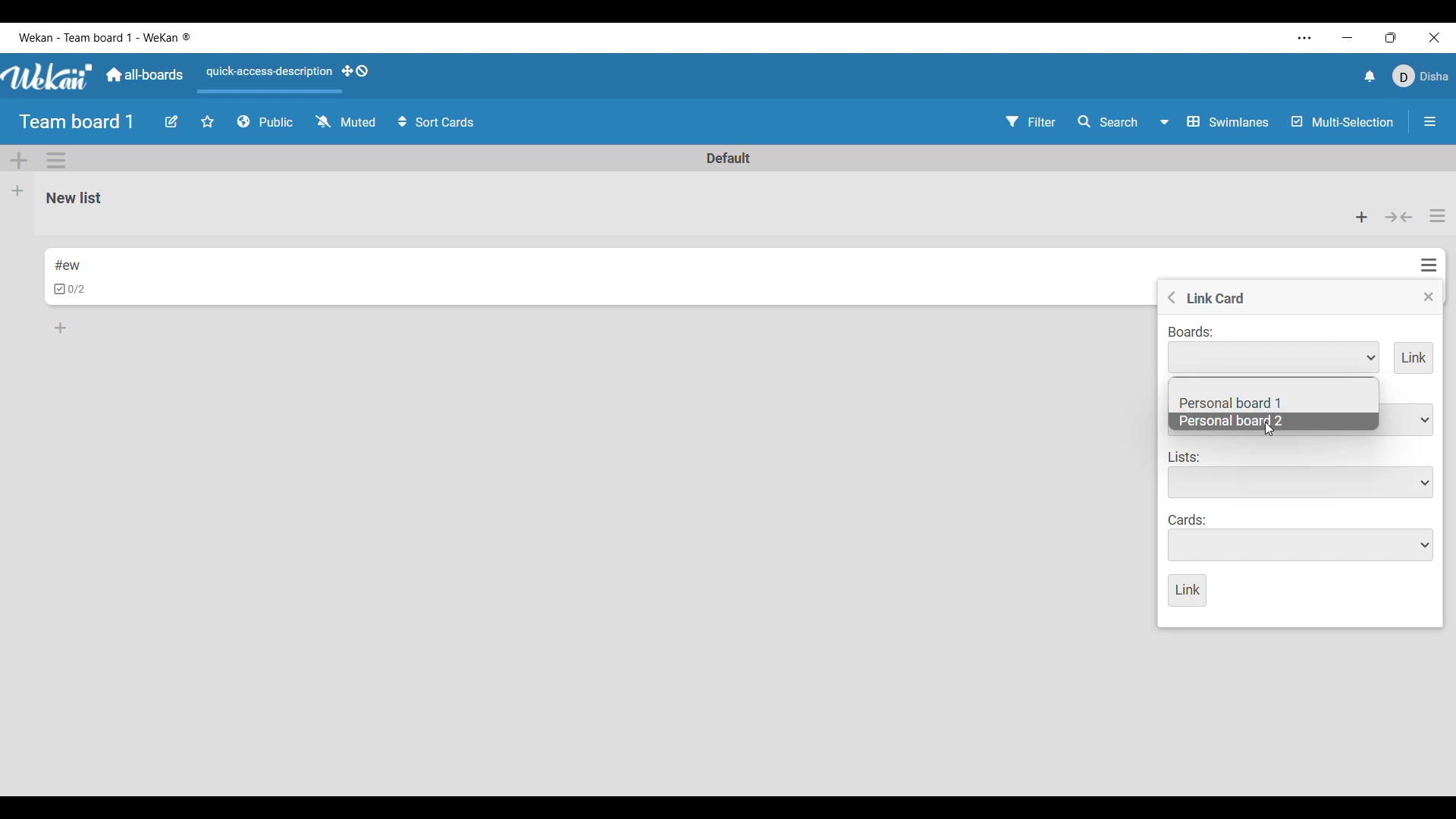 The height and width of the screenshot is (819, 1456). I want to click on board option, so click(1231, 421).